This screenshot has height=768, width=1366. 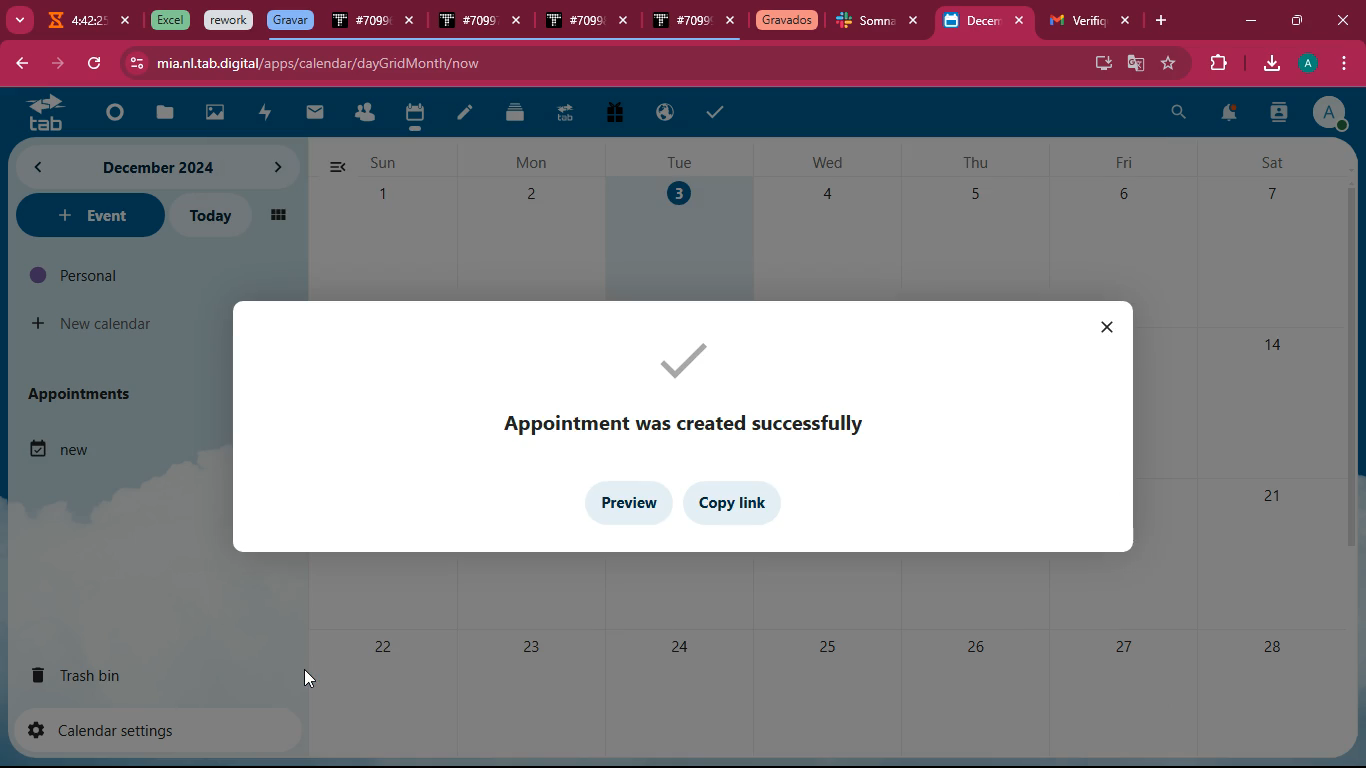 What do you see at coordinates (1270, 65) in the screenshot?
I see `download` at bounding box center [1270, 65].